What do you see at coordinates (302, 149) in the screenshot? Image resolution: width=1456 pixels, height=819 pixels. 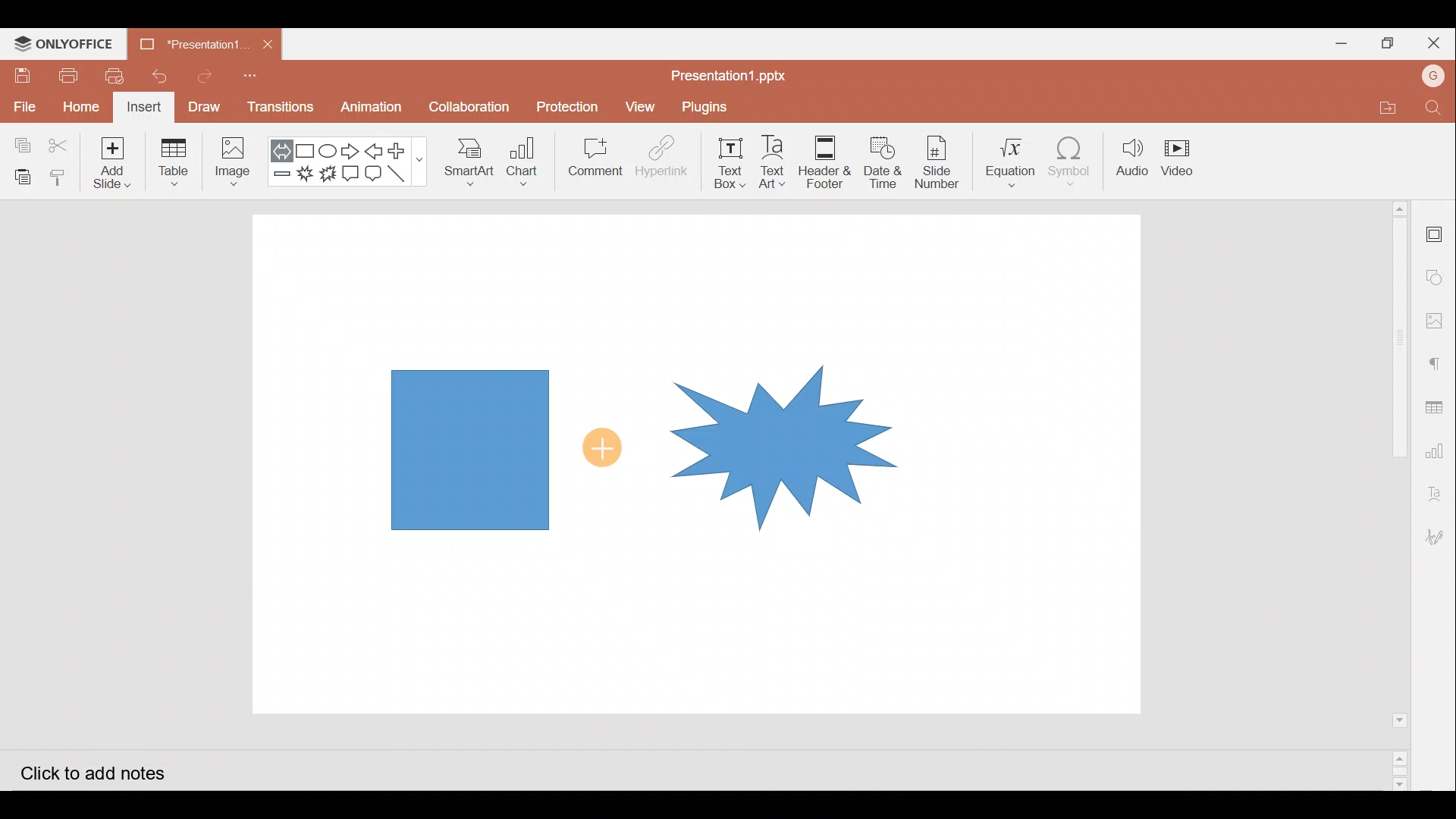 I see `Rectangle` at bounding box center [302, 149].